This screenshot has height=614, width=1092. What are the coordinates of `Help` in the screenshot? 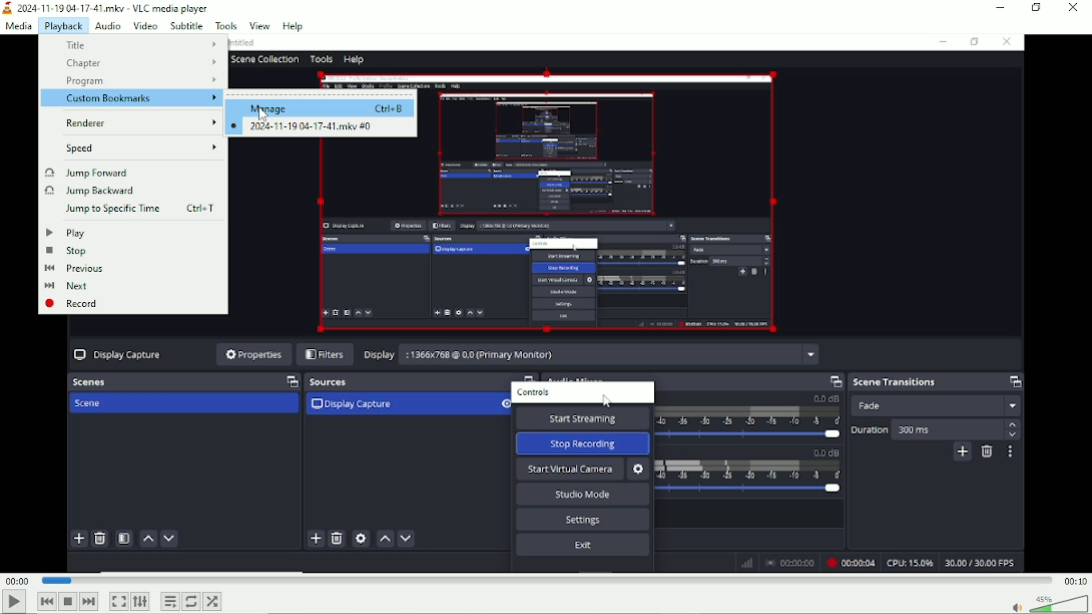 It's located at (293, 26).